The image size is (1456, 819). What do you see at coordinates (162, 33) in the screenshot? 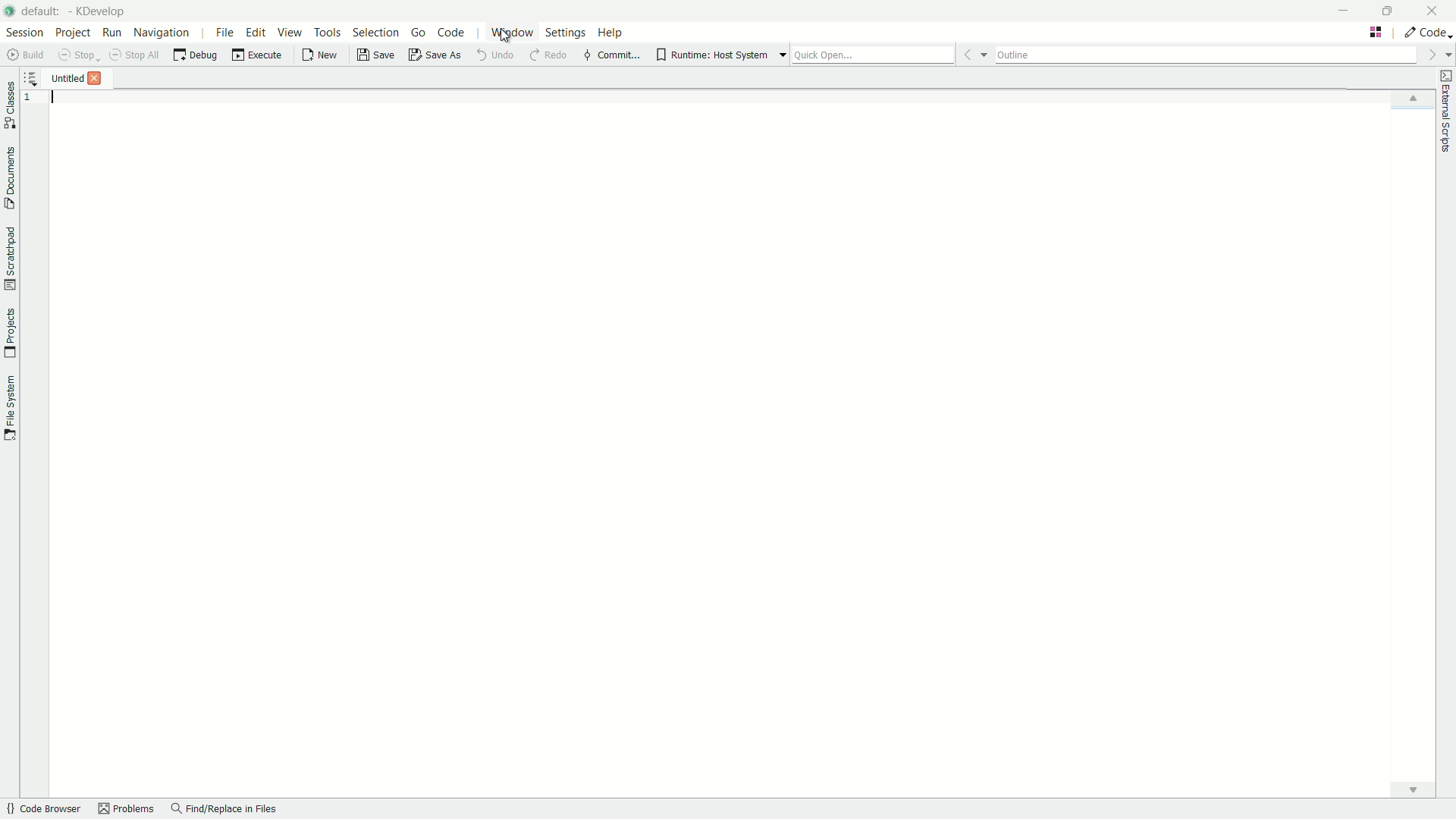
I see `navigation menu` at bounding box center [162, 33].